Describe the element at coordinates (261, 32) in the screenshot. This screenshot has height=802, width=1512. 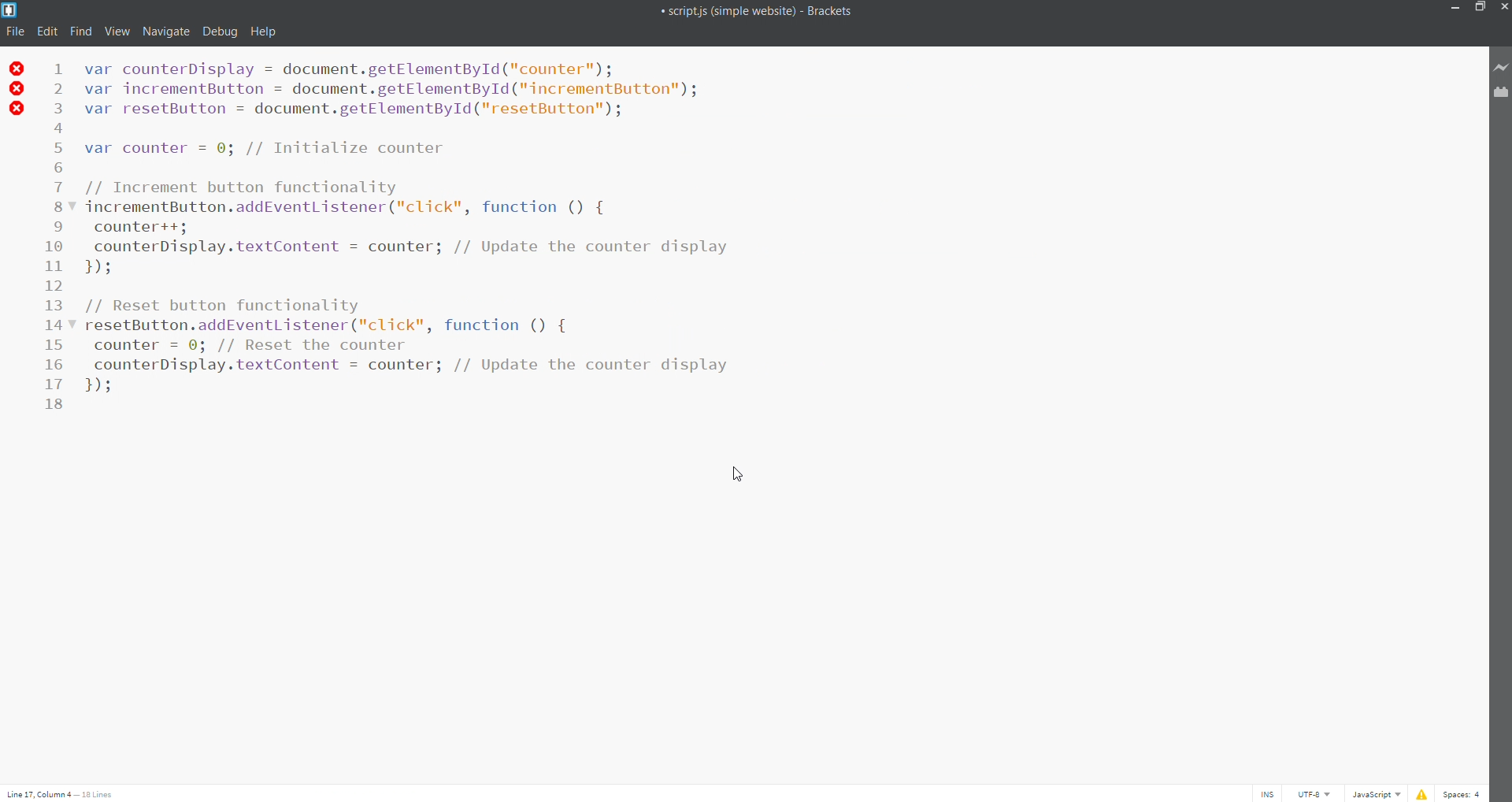
I see `help` at that location.